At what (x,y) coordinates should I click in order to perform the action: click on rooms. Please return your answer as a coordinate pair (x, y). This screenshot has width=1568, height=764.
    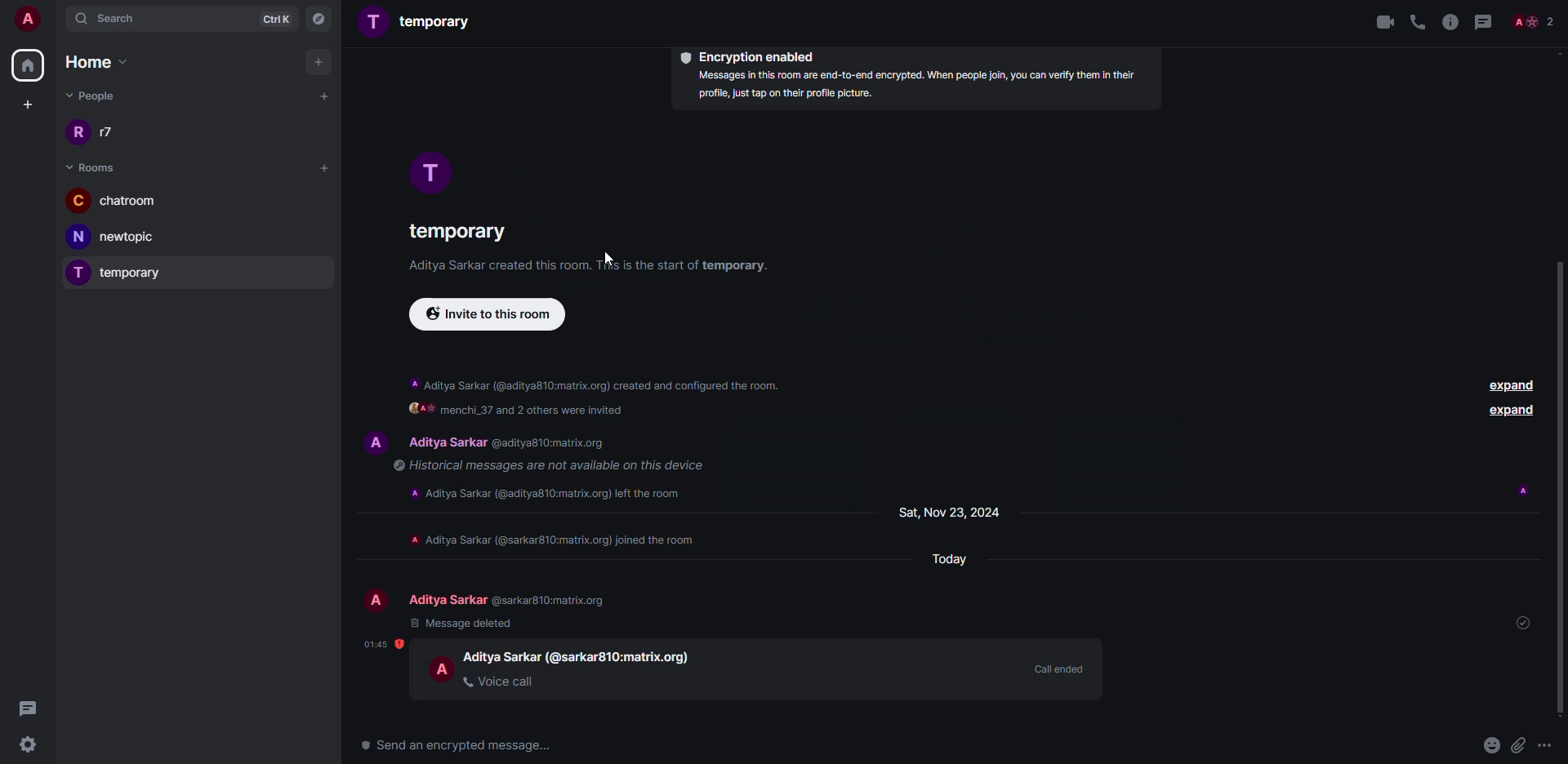
    Looking at the image, I should click on (93, 168).